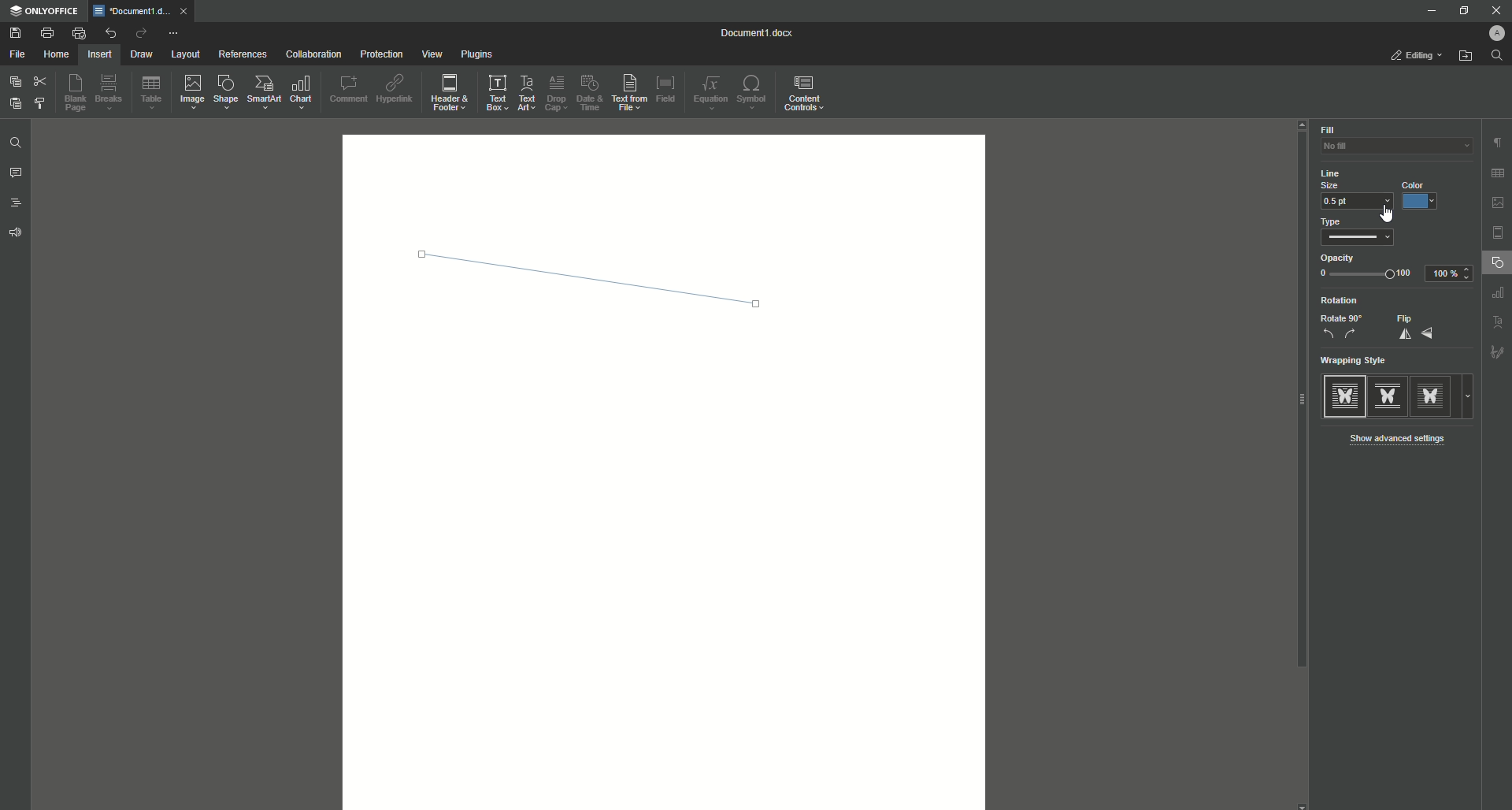 Image resolution: width=1512 pixels, height=810 pixels. Describe the element at coordinates (1412, 56) in the screenshot. I see `Editing` at that location.